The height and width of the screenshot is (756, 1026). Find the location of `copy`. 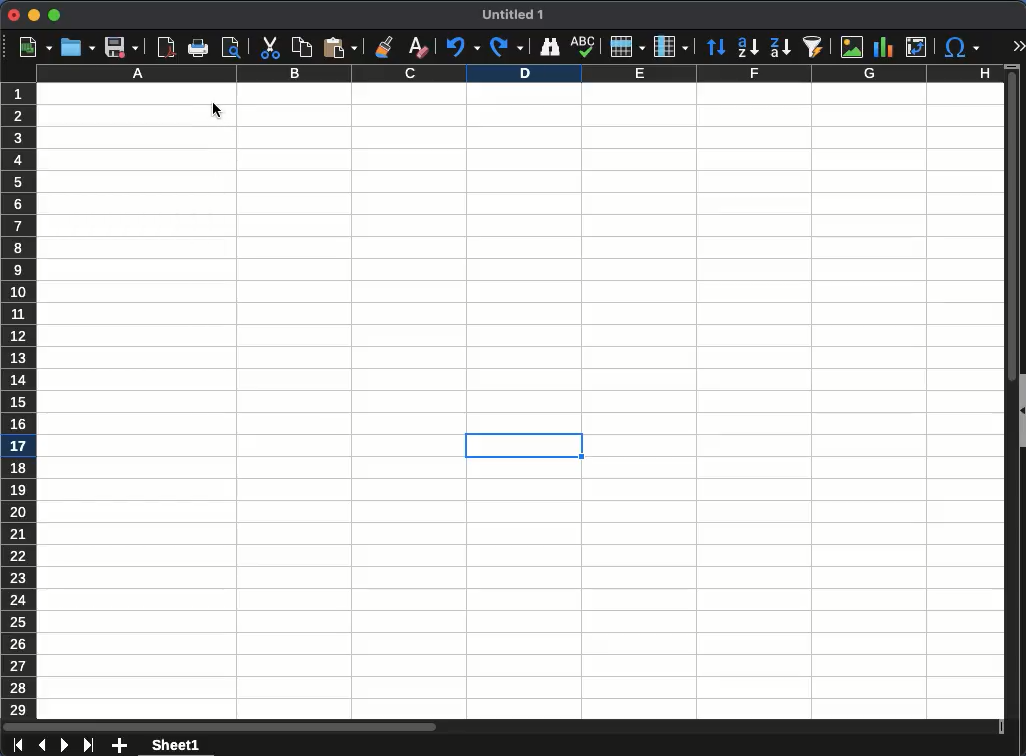

copy is located at coordinates (301, 47).